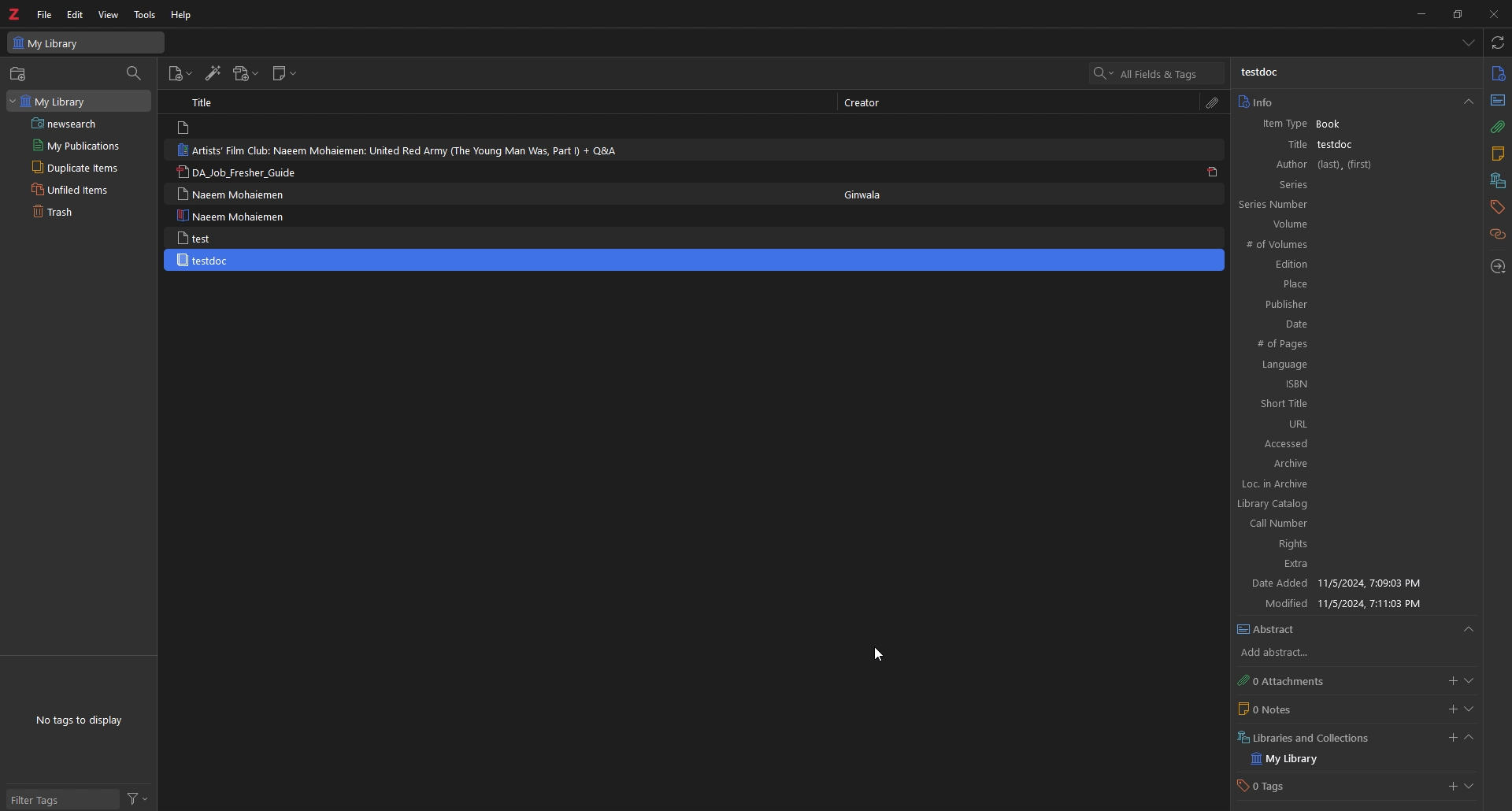  I want to click on Edition, so click(1344, 265).